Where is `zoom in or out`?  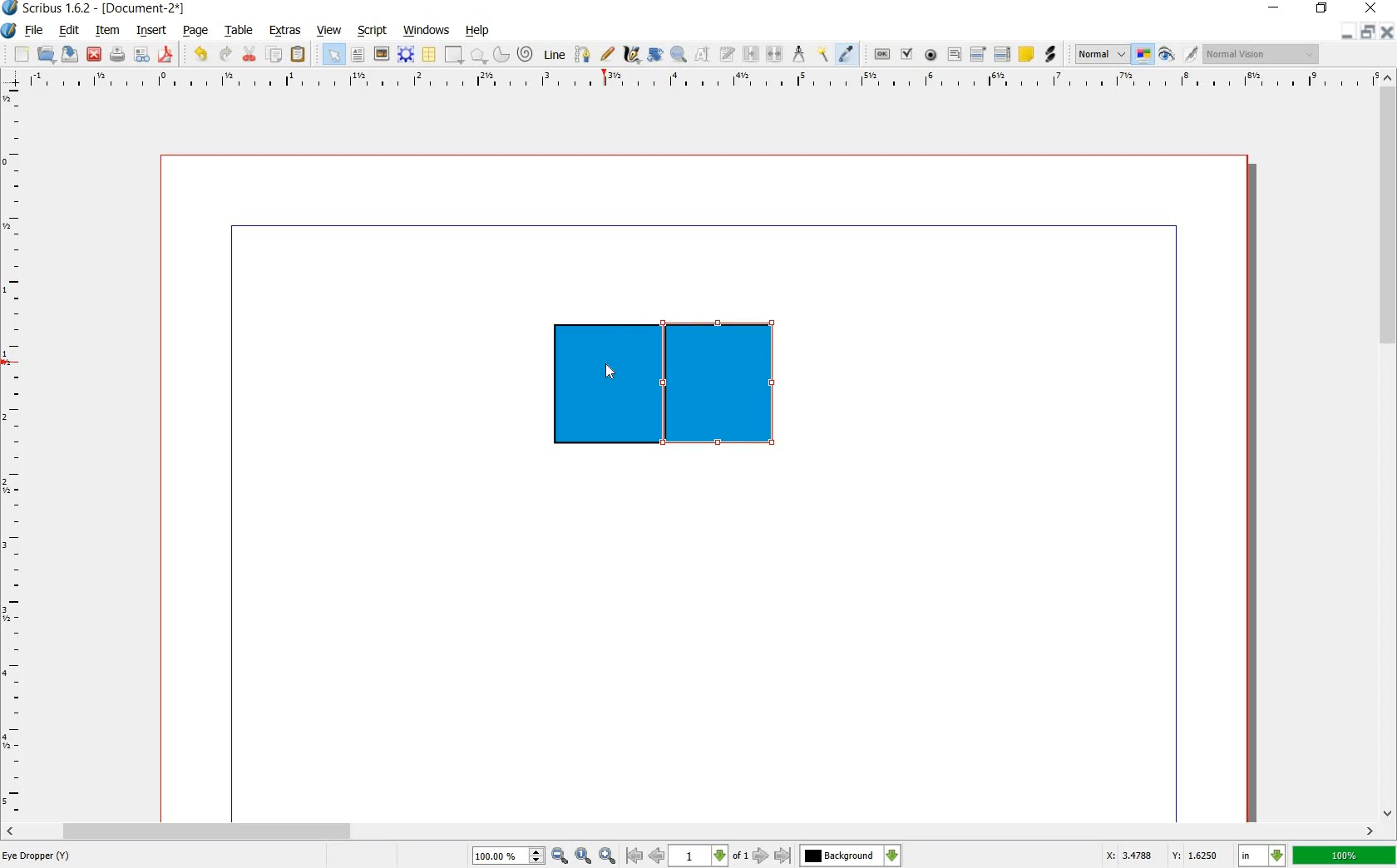
zoom in or out is located at coordinates (679, 56).